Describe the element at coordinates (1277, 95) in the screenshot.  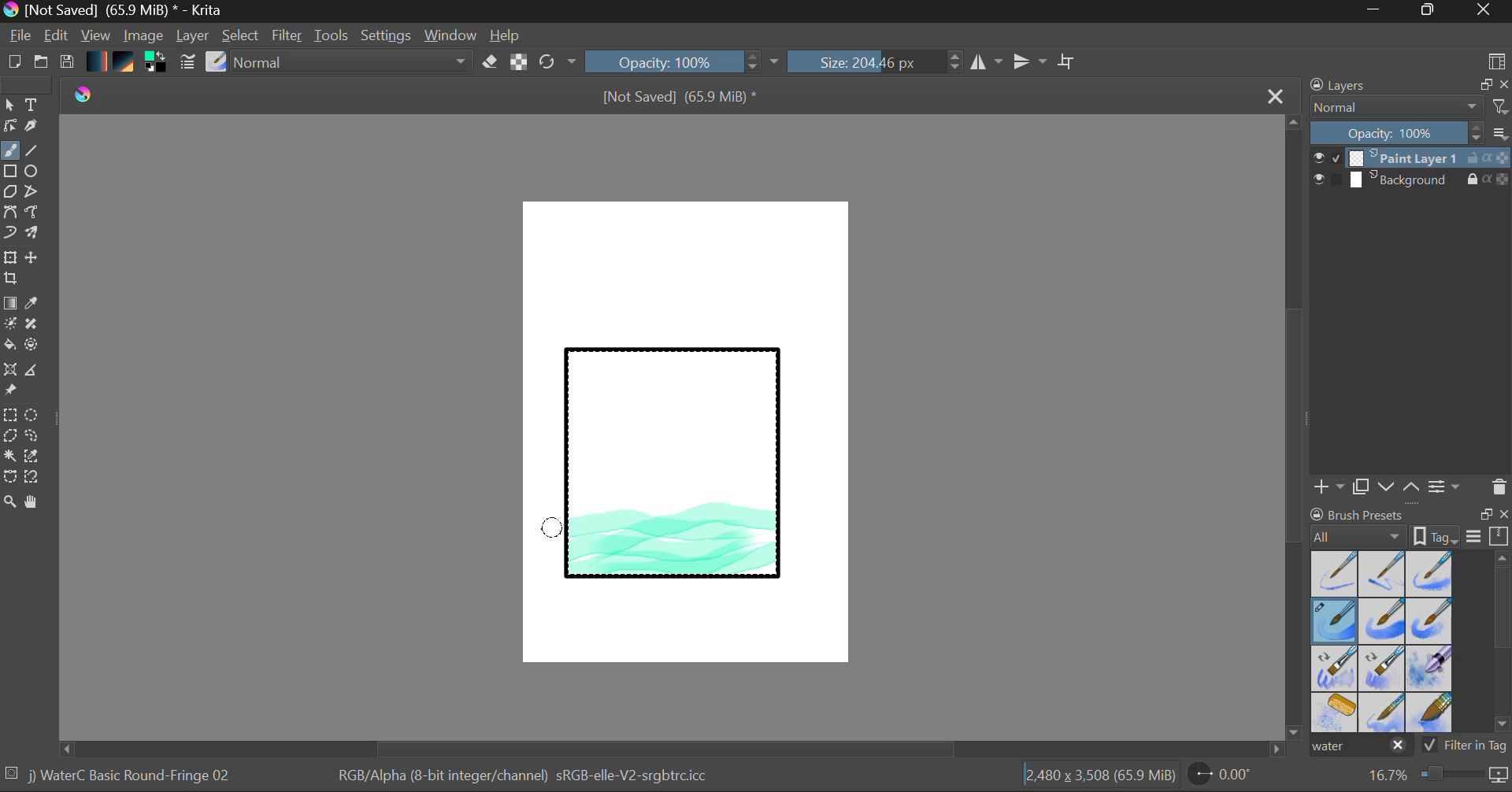
I see `Close` at that location.